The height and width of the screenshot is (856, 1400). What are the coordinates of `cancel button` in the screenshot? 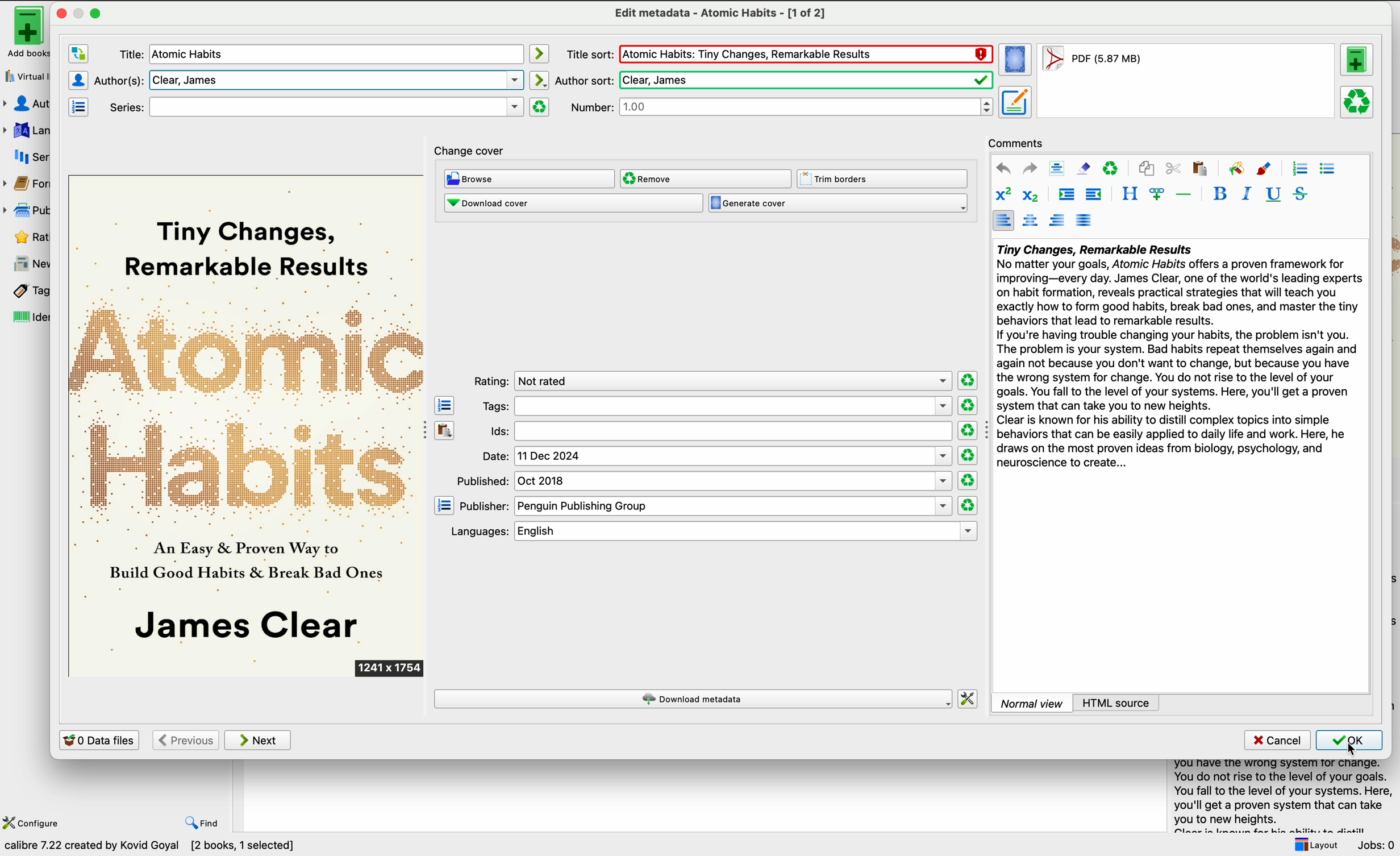 It's located at (1276, 741).